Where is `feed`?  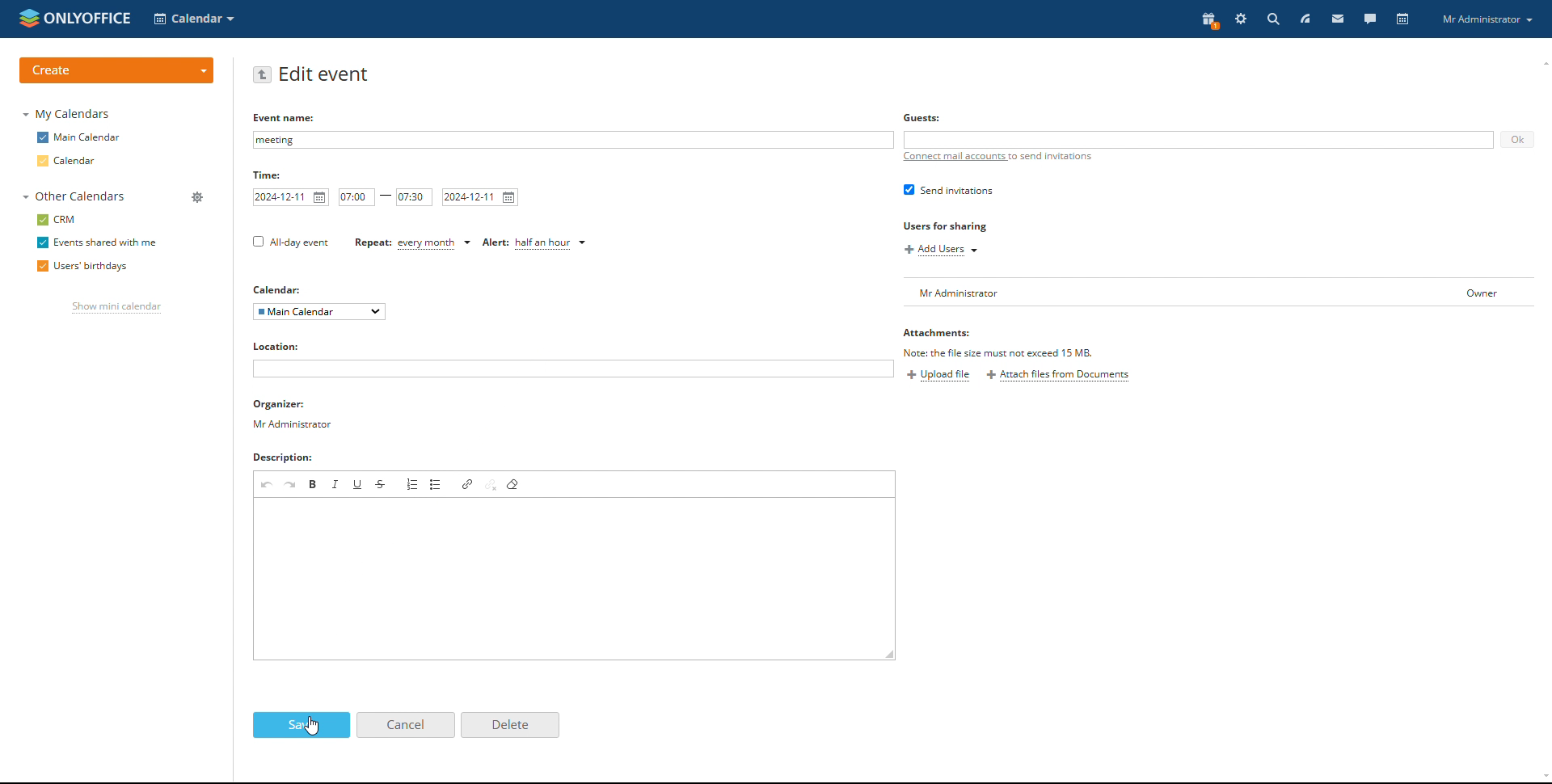
feed is located at coordinates (1305, 19).